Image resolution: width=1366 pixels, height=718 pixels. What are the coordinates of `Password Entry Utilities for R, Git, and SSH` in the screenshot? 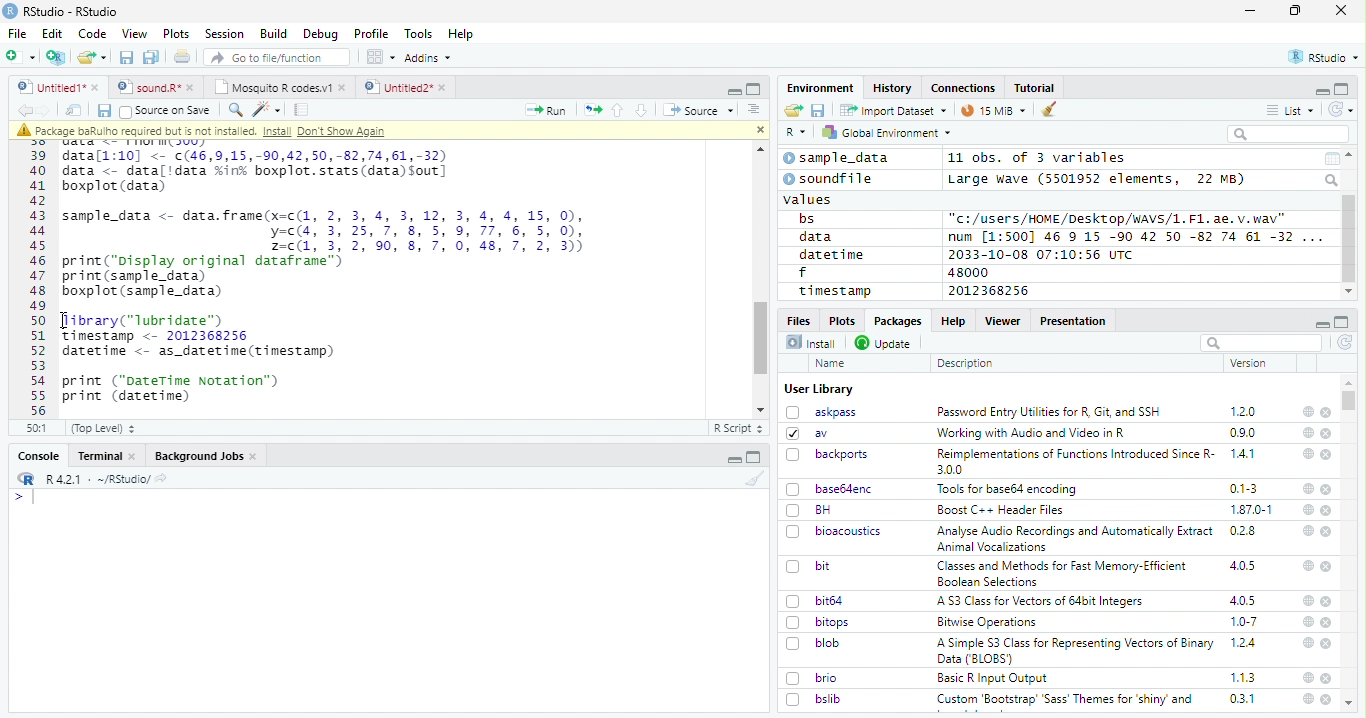 It's located at (1049, 412).